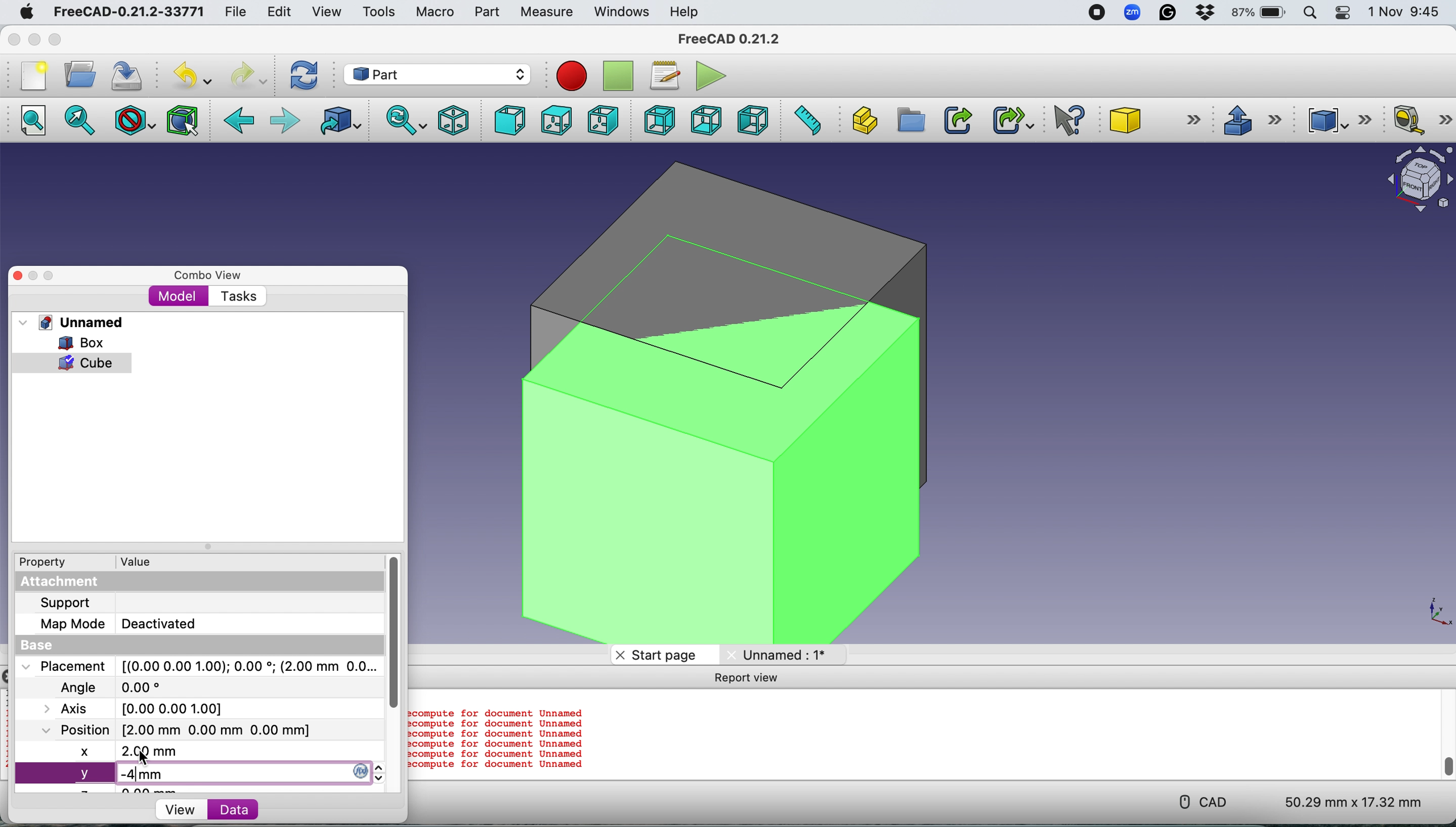 The image size is (1456, 827). Describe the element at coordinates (84, 322) in the screenshot. I see `Unnamed` at that location.